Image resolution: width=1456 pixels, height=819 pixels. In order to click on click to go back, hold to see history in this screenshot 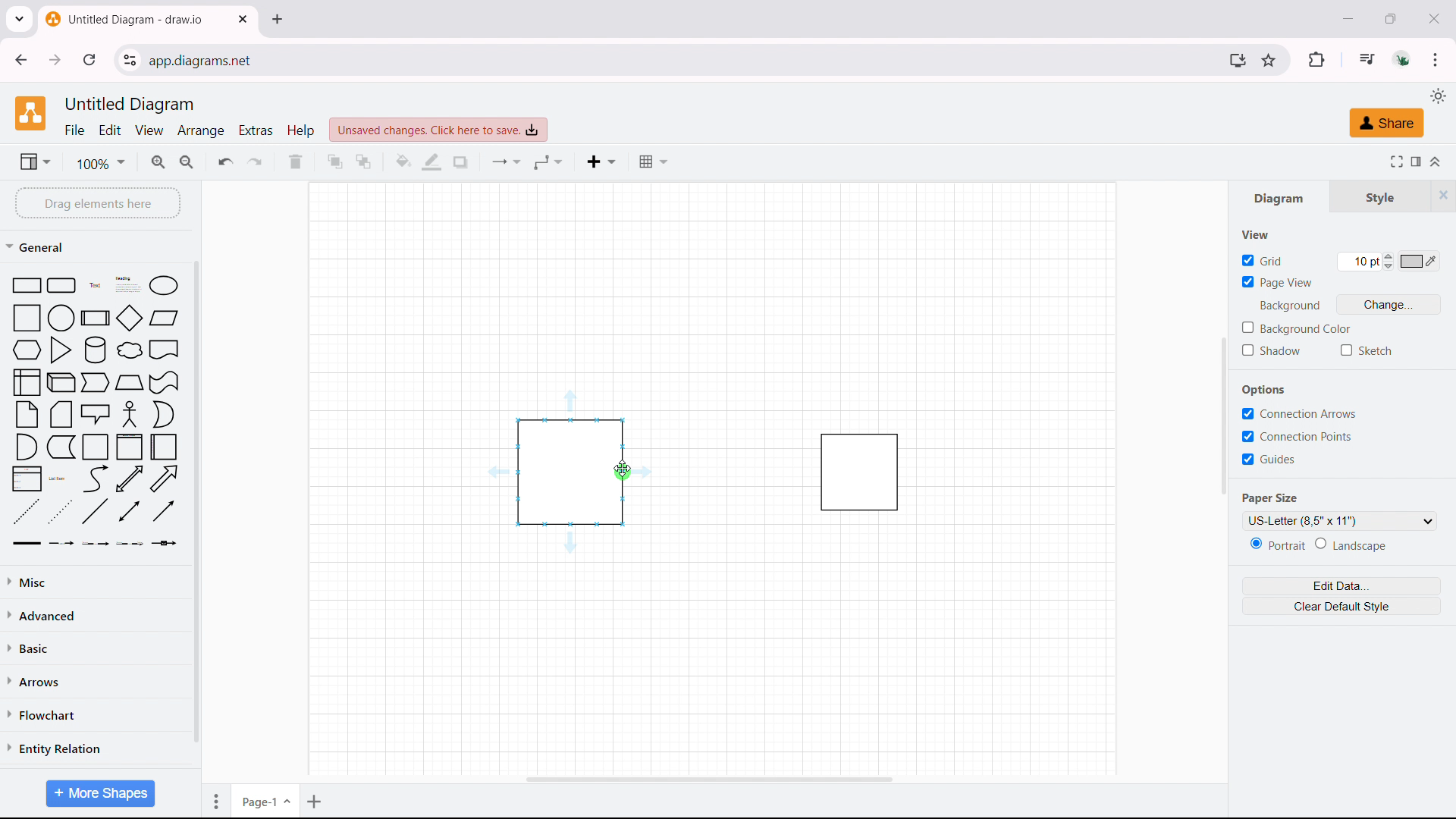, I will do `click(20, 59)`.